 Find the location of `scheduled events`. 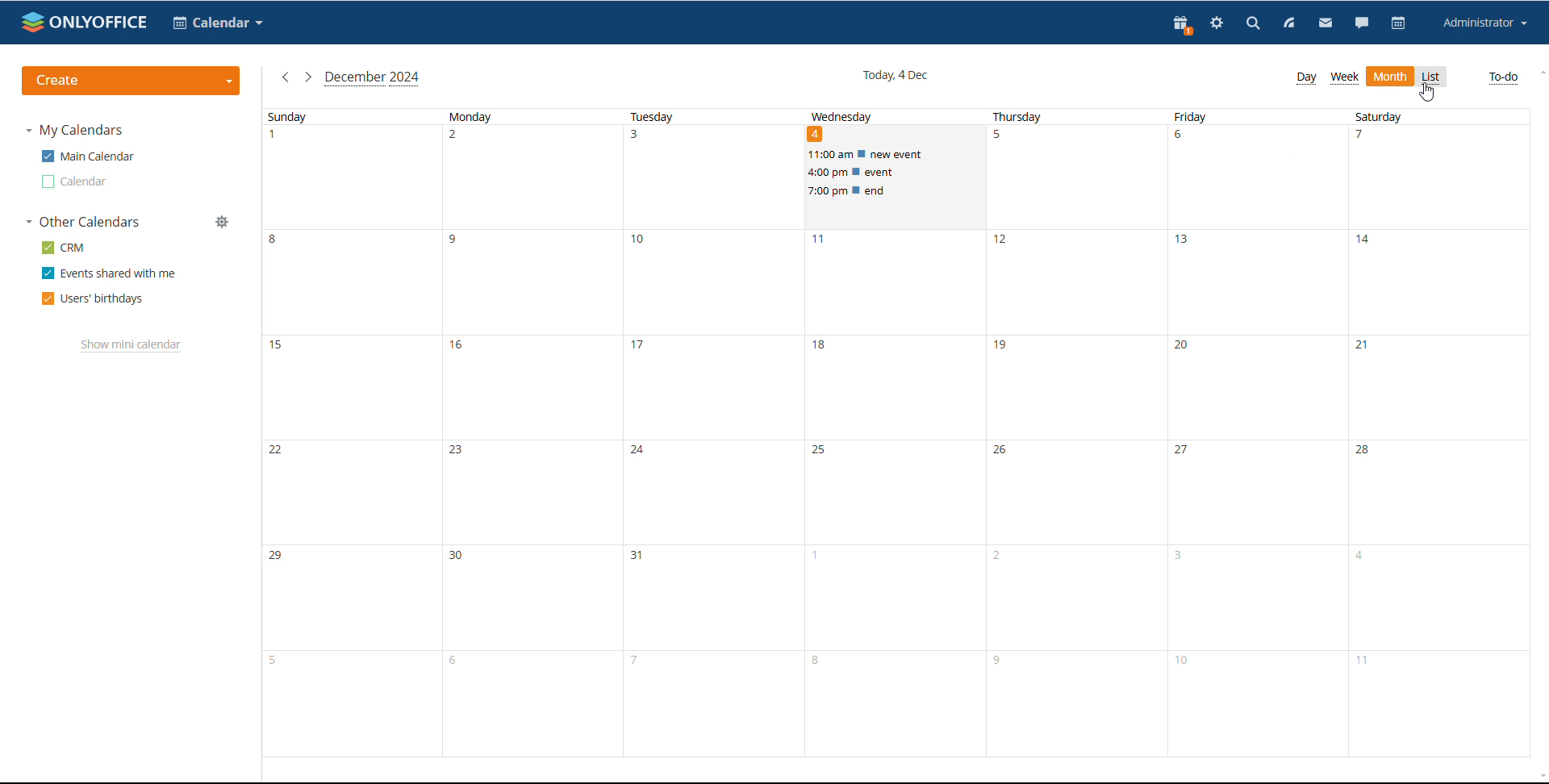

scheduled events is located at coordinates (895, 177).